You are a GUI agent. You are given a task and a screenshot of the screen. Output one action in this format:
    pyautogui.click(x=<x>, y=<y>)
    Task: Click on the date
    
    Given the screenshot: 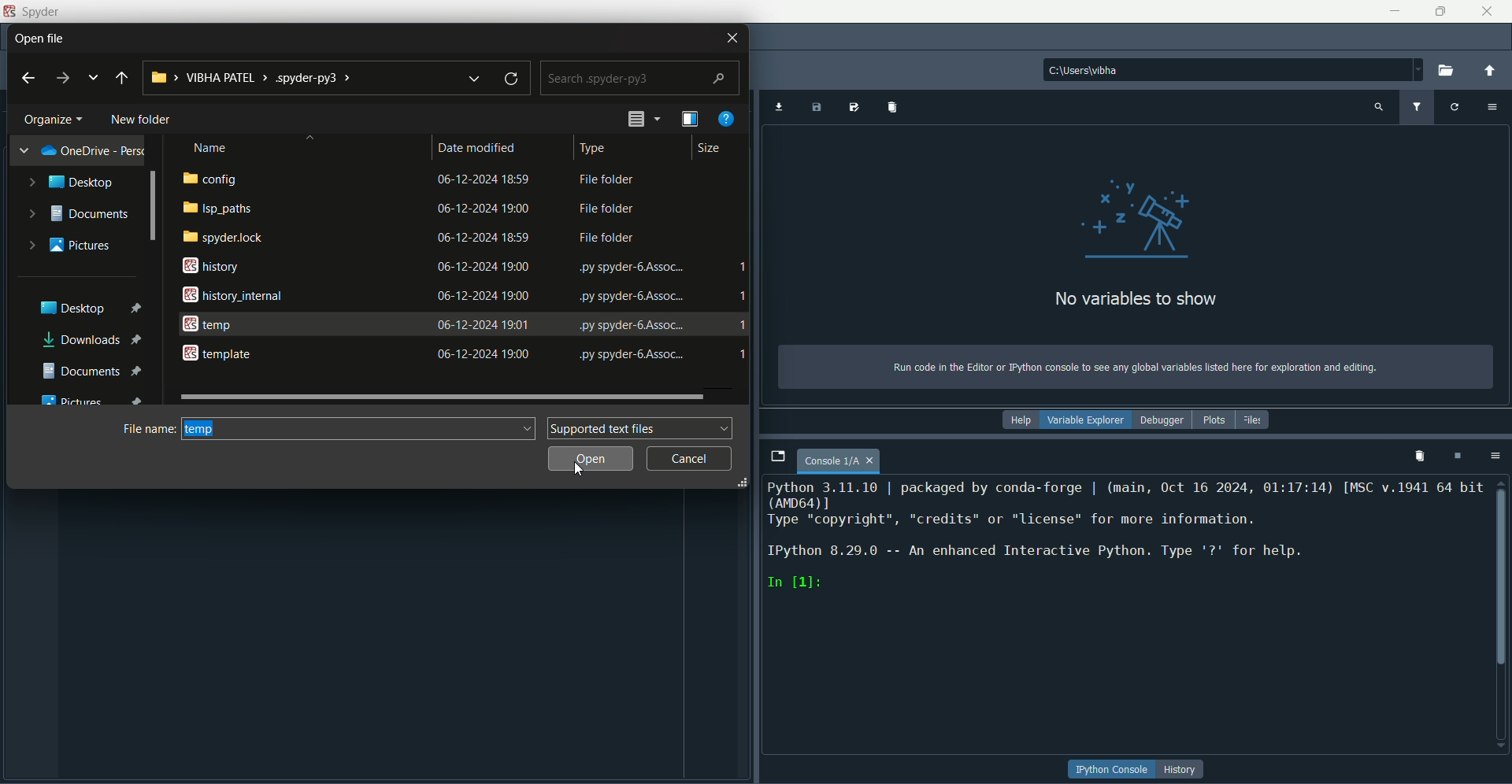 What is the action you would take?
    pyautogui.click(x=481, y=324)
    